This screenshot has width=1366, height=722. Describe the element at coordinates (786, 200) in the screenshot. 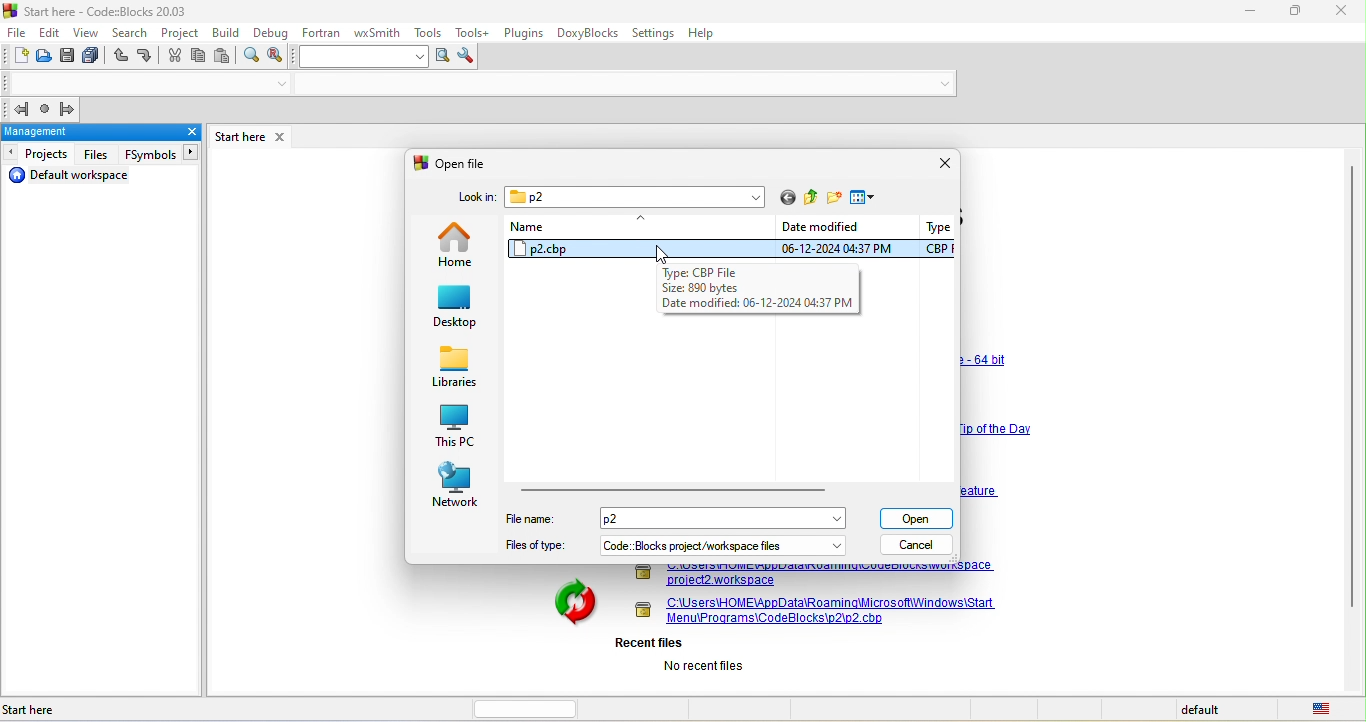

I see `go to last folder` at that location.